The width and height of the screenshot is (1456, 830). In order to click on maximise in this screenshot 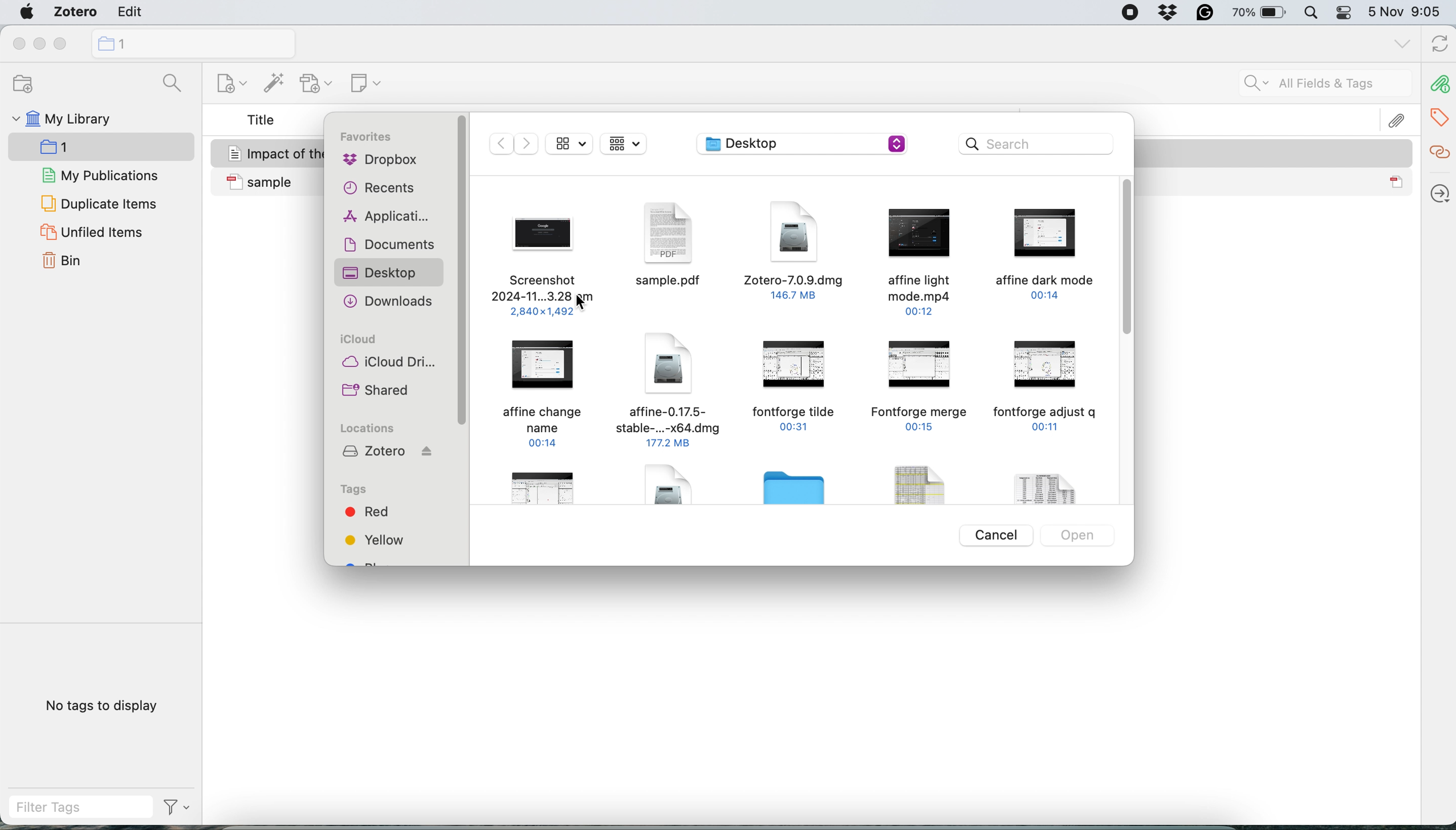, I will do `click(65, 44)`.